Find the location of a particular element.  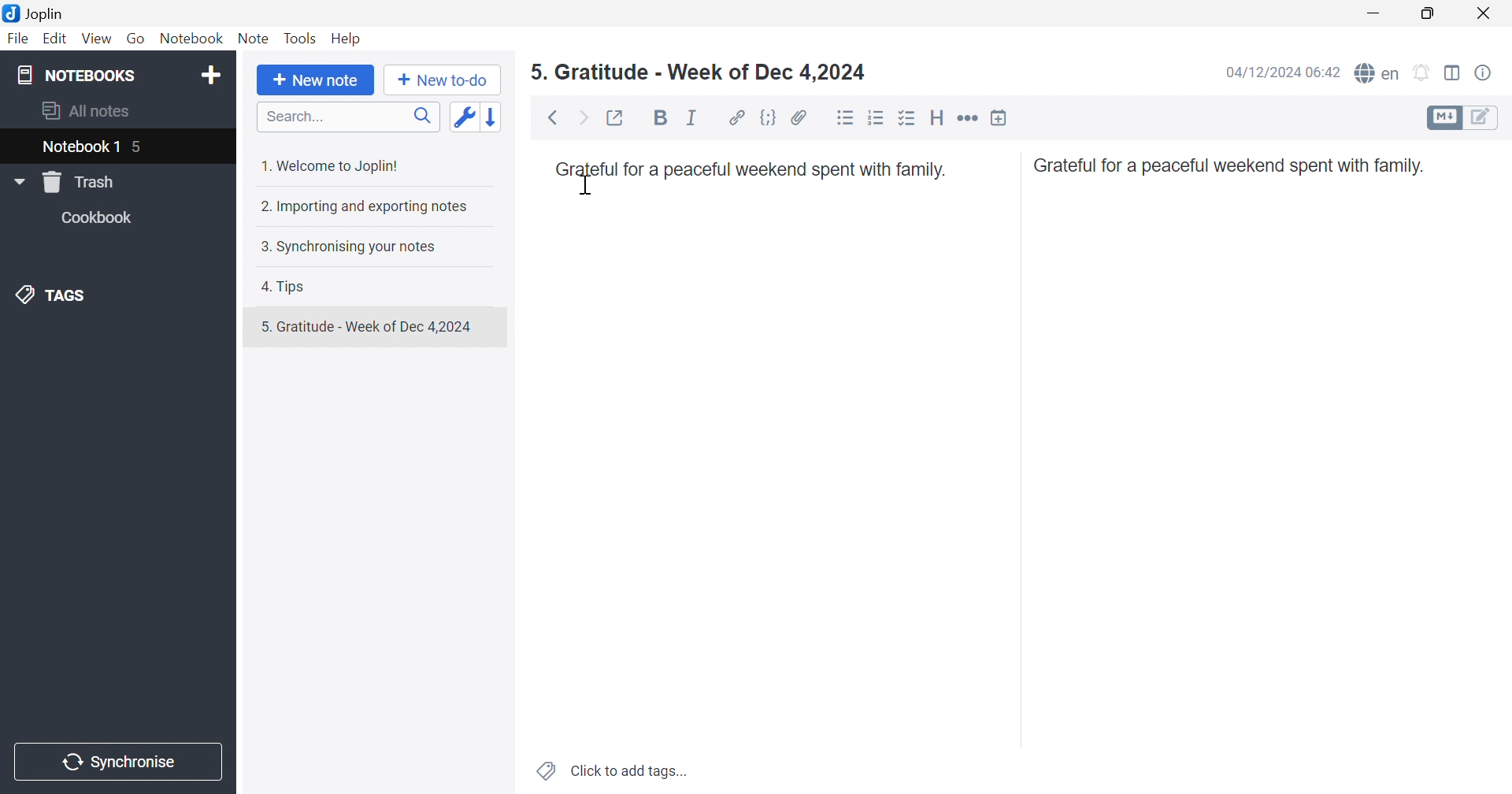

Forward is located at coordinates (585, 117).